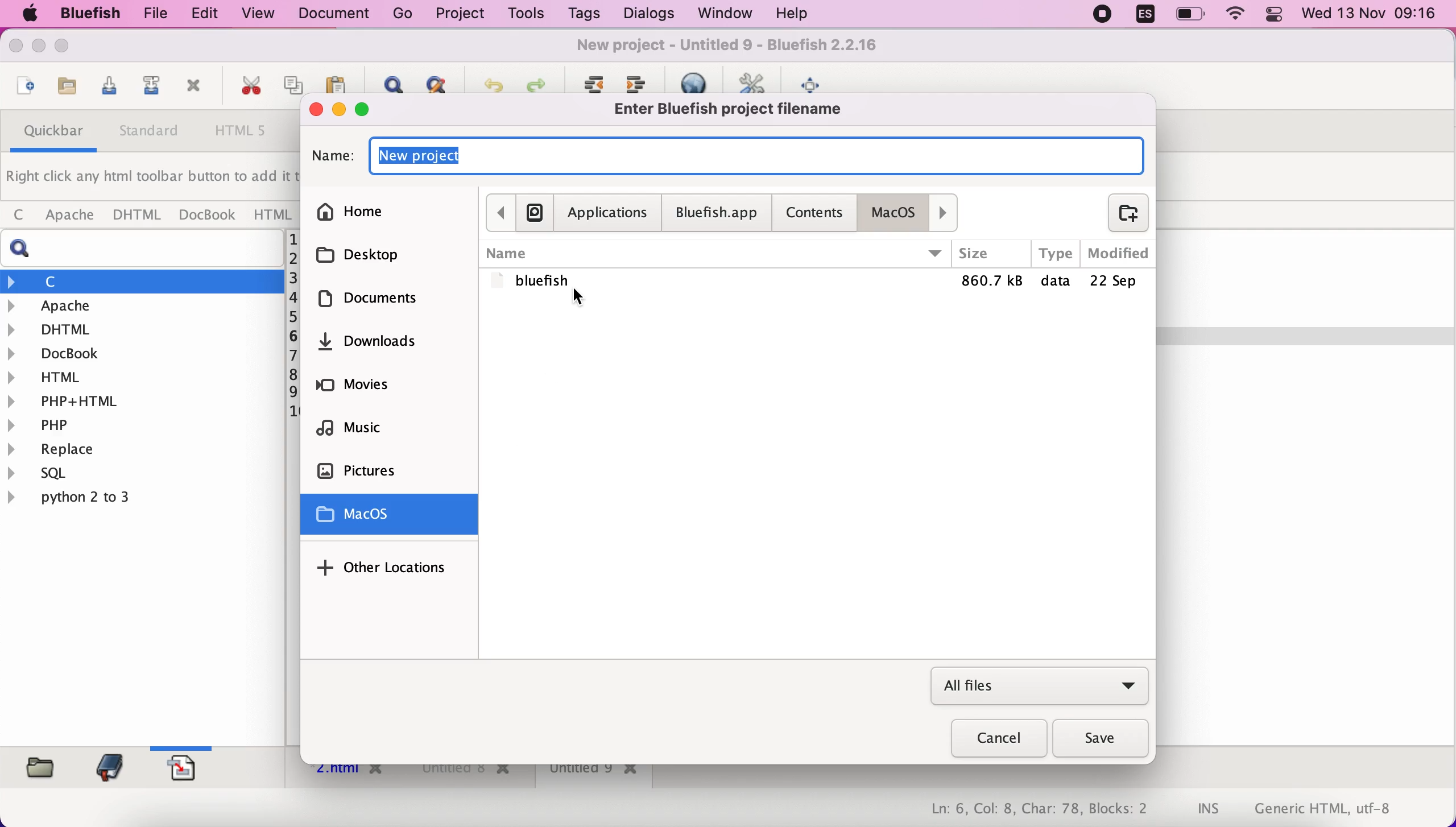 The image size is (1456, 827). I want to click on , so click(190, 86).